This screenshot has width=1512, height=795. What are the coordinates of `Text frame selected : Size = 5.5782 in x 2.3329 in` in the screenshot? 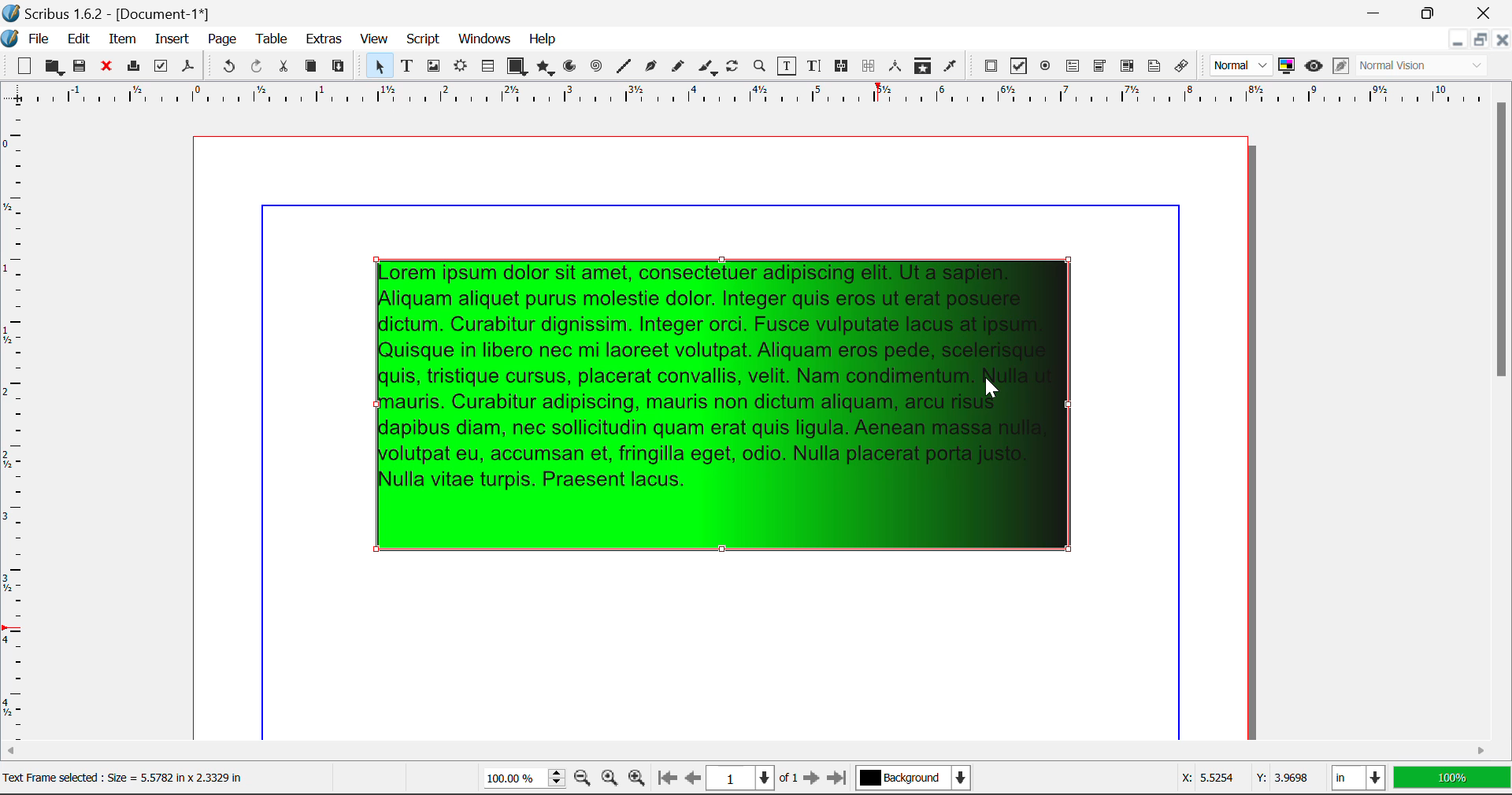 It's located at (126, 776).